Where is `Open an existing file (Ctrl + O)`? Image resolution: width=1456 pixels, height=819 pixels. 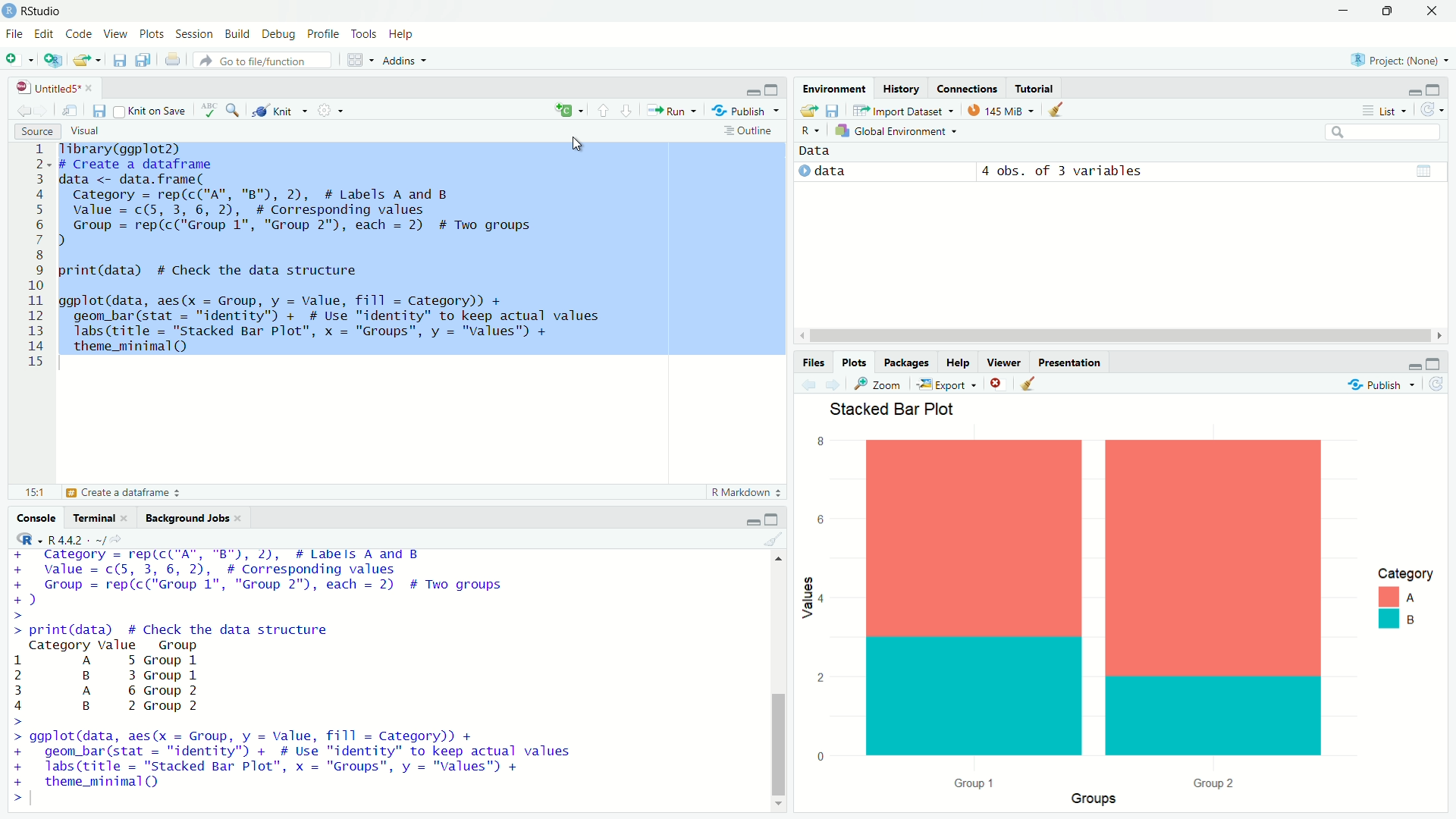 Open an existing file (Ctrl + O) is located at coordinates (87, 59).